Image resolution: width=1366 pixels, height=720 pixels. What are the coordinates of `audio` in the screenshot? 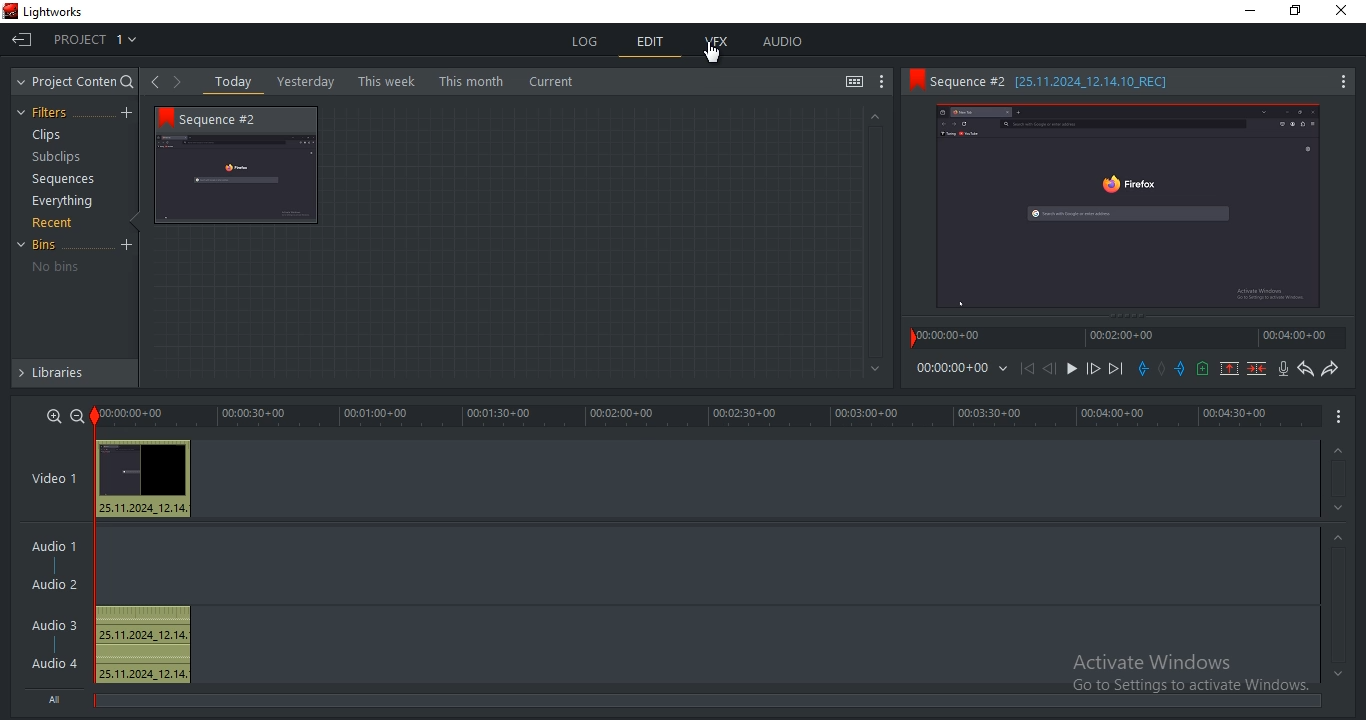 It's located at (782, 40).